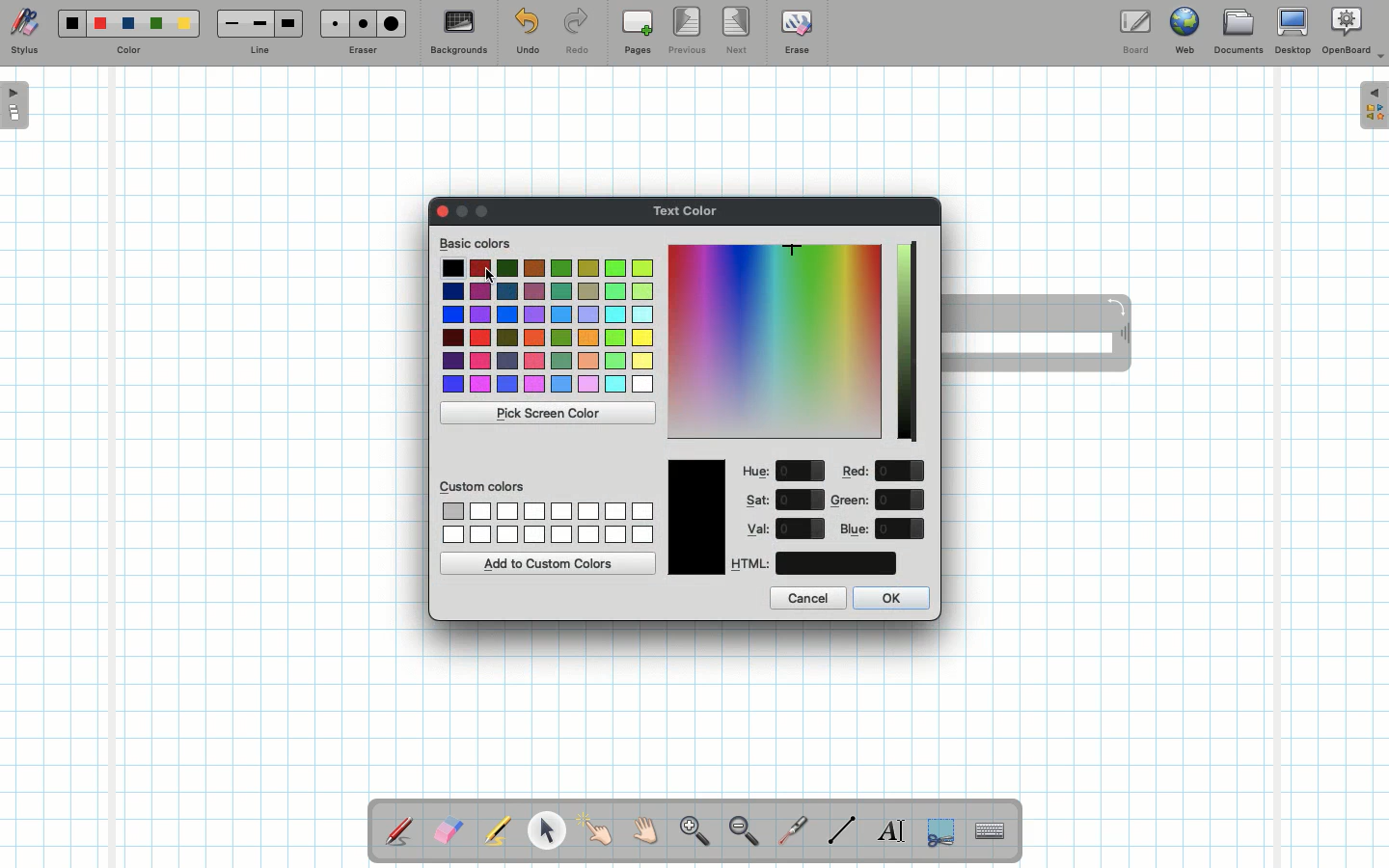  I want to click on OpenBoard, so click(1353, 31).